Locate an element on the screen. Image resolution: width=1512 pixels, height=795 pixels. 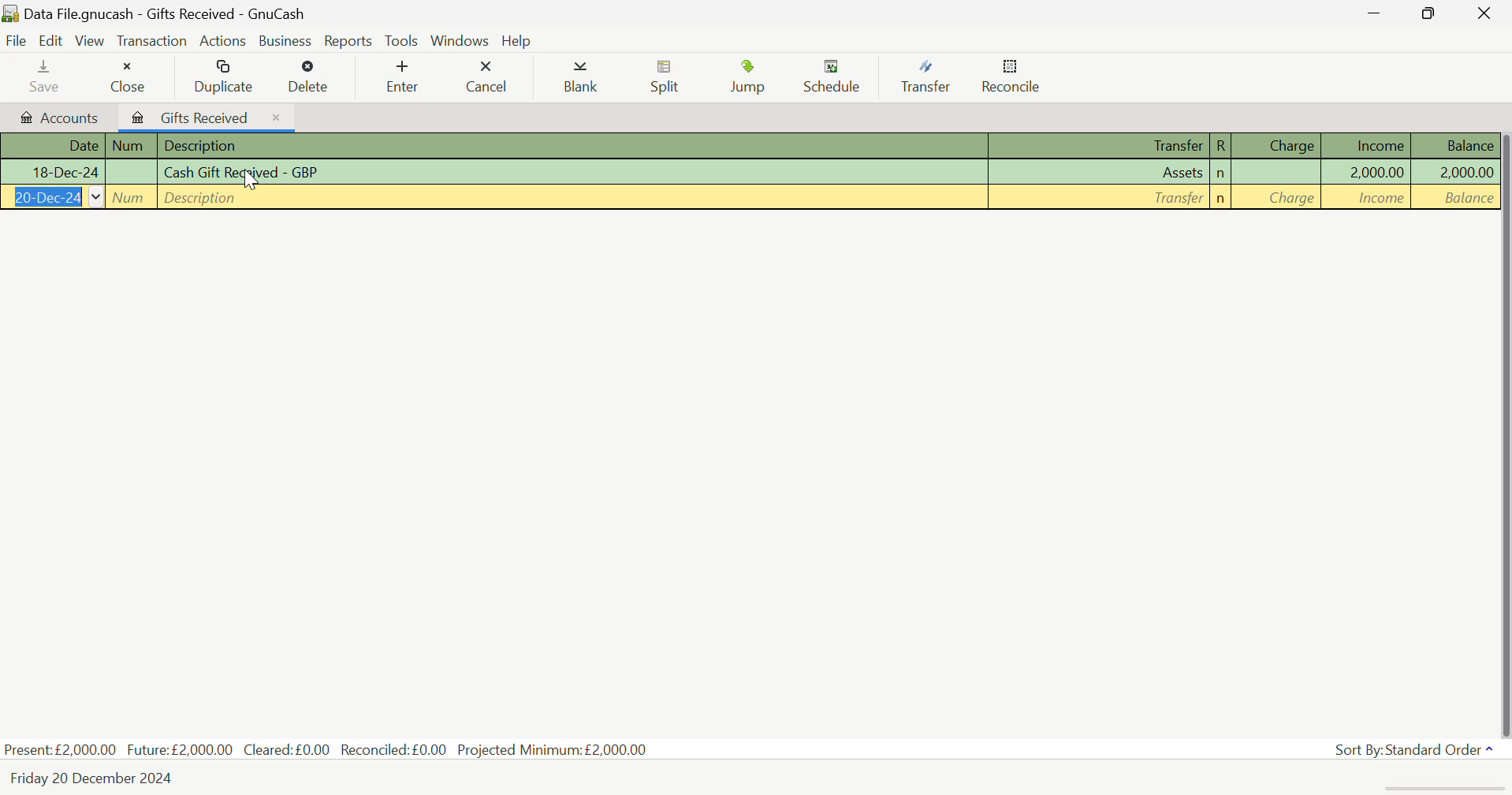
Num is located at coordinates (132, 146).